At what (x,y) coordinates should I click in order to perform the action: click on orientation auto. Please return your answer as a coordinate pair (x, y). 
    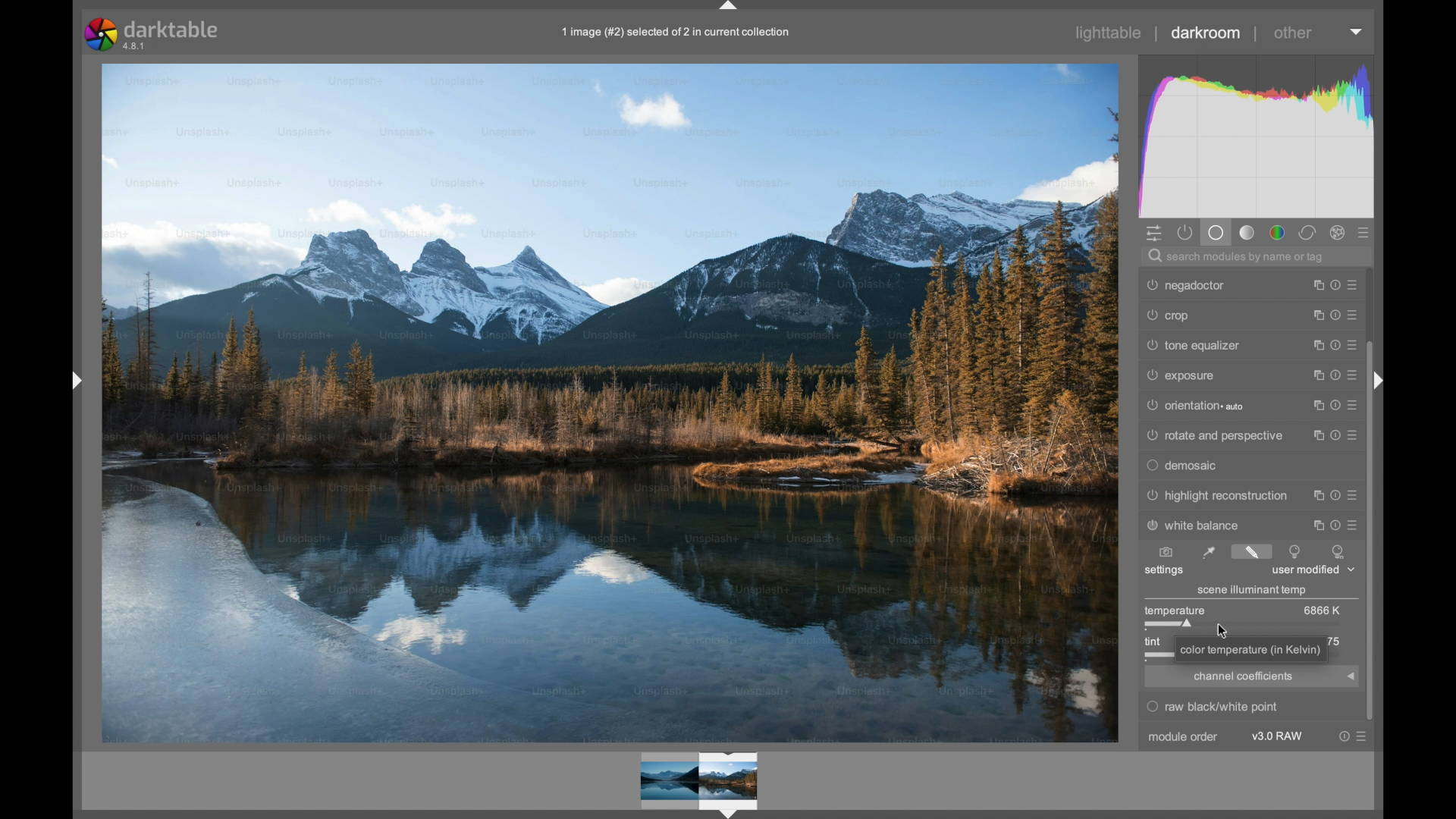
    Looking at the image, I should click on (1194, 407).